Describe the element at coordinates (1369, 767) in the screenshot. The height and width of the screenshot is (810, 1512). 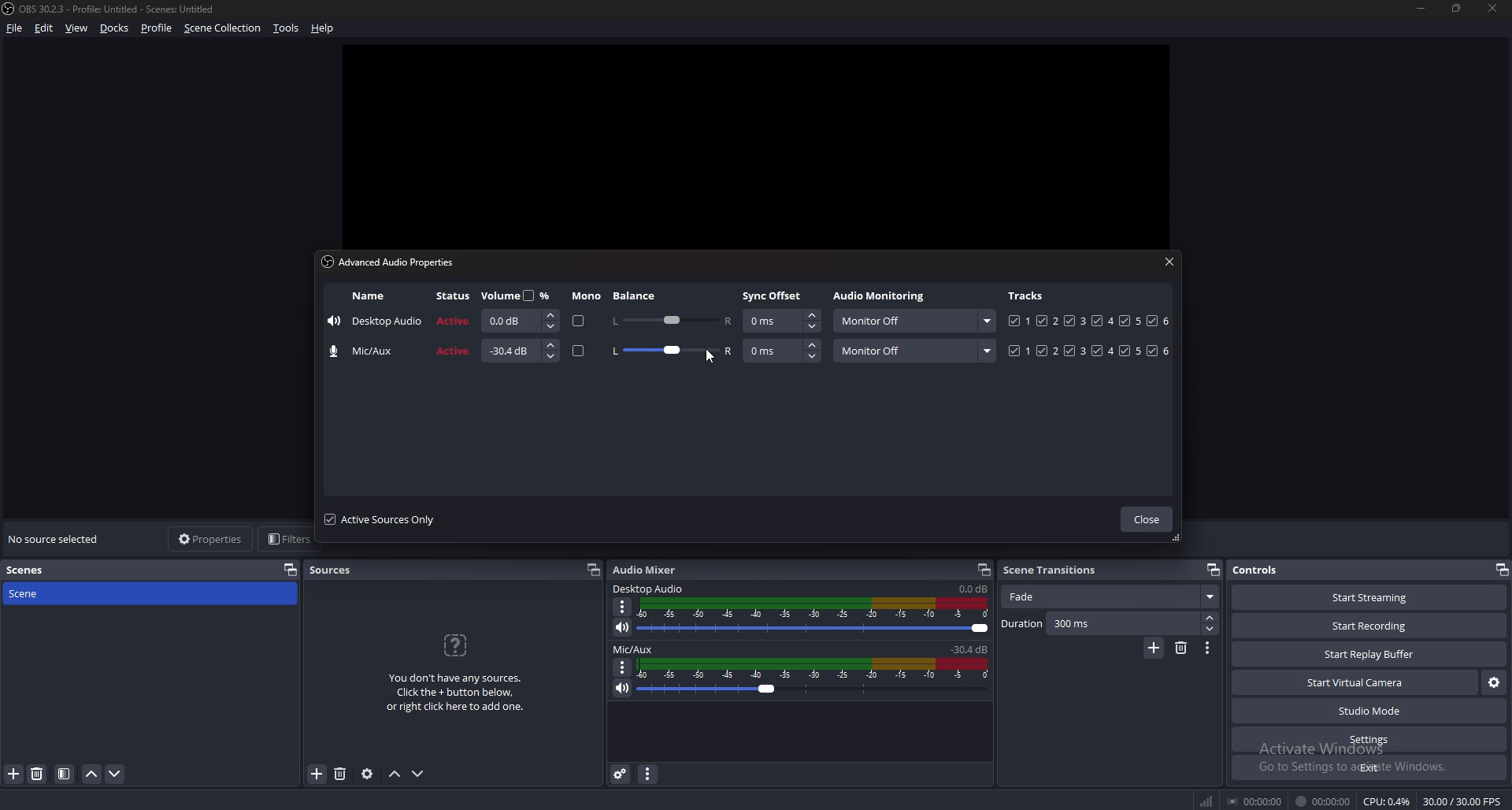
I see `exit` at that location.